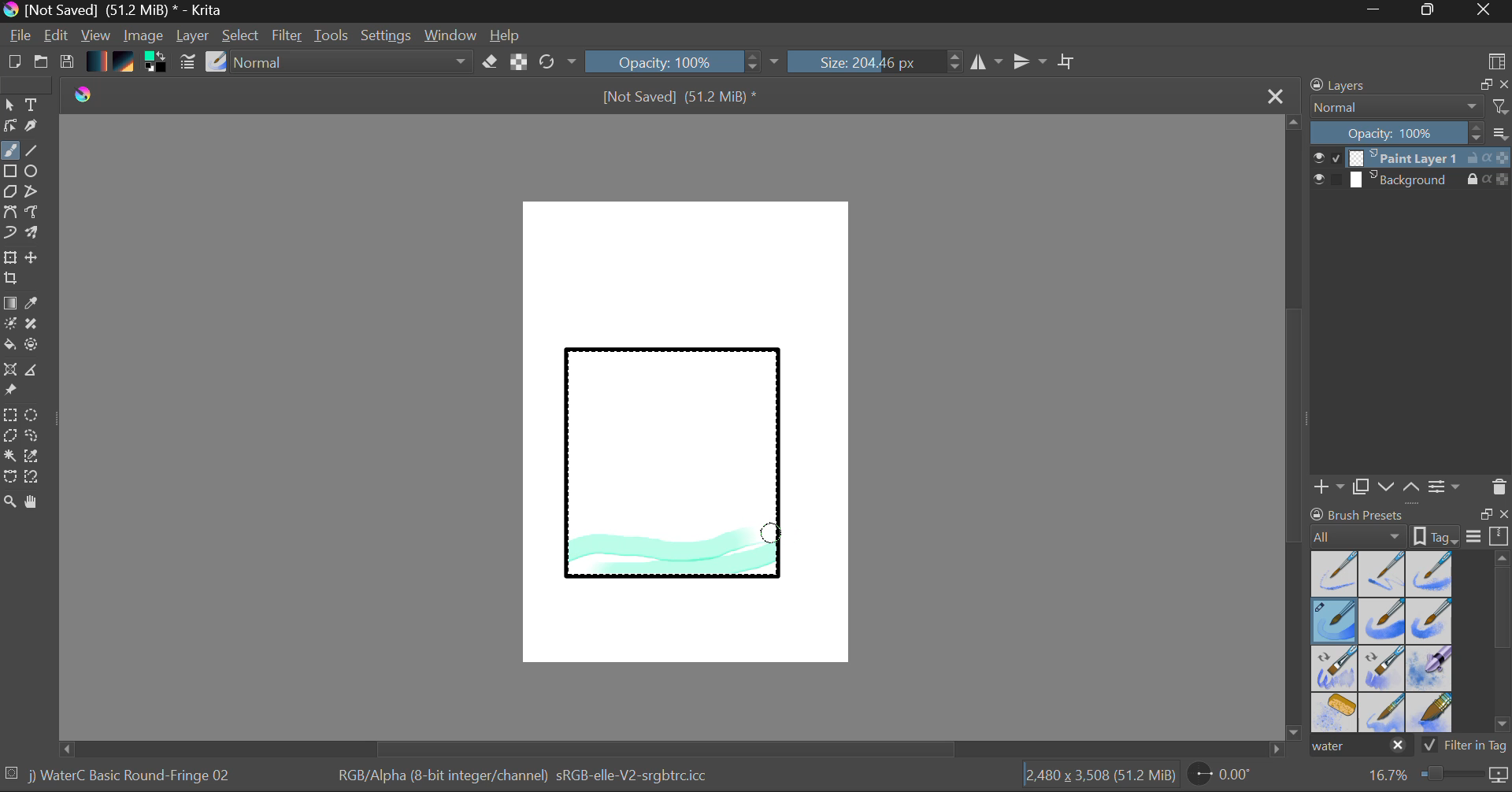 This screenshot has width=1512, height=792. Describe the element at coordinates (35, 304) in the screenshot. I see `Eyedropper` at that location.